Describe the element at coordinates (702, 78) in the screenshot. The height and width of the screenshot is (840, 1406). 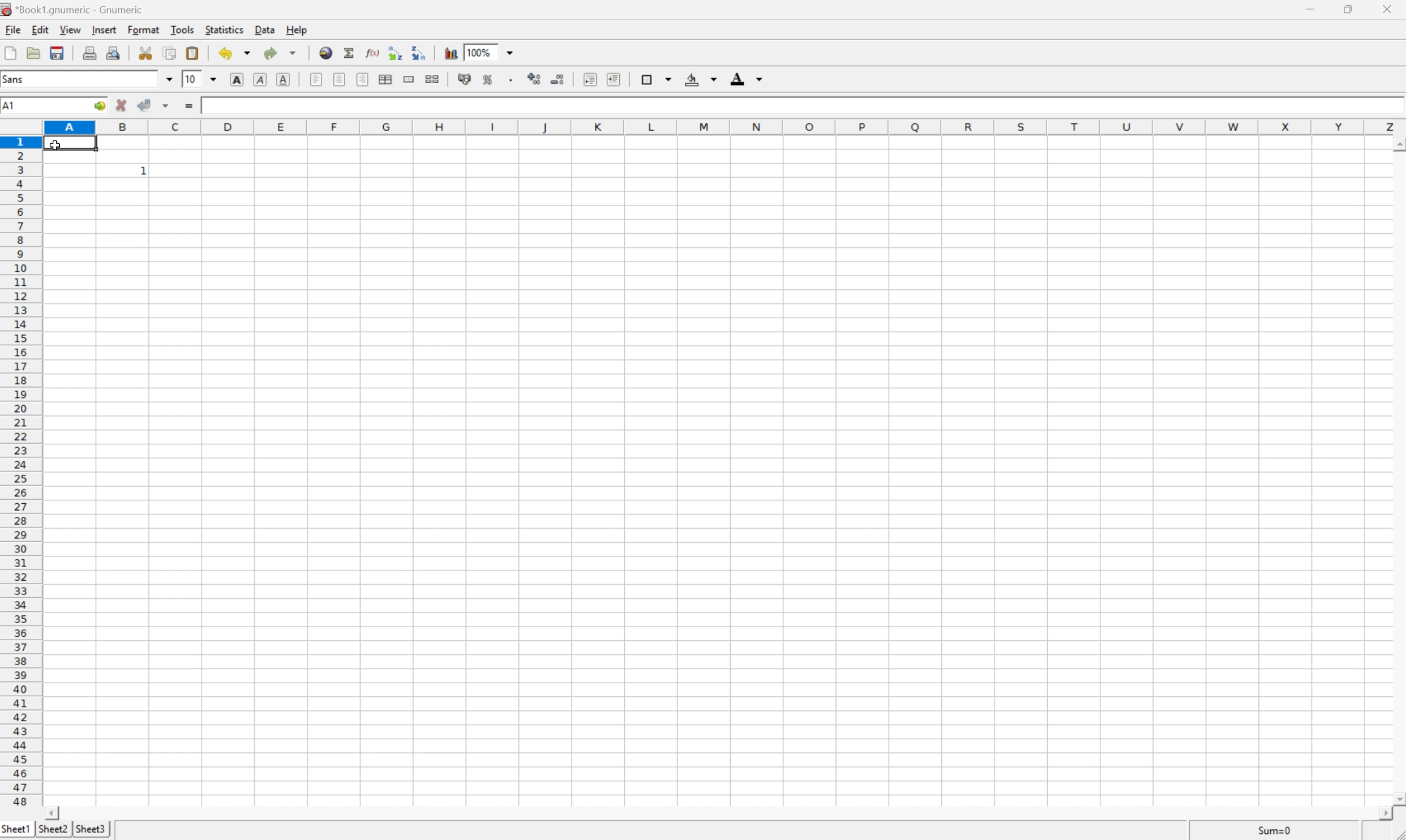
I see `background` at that location.